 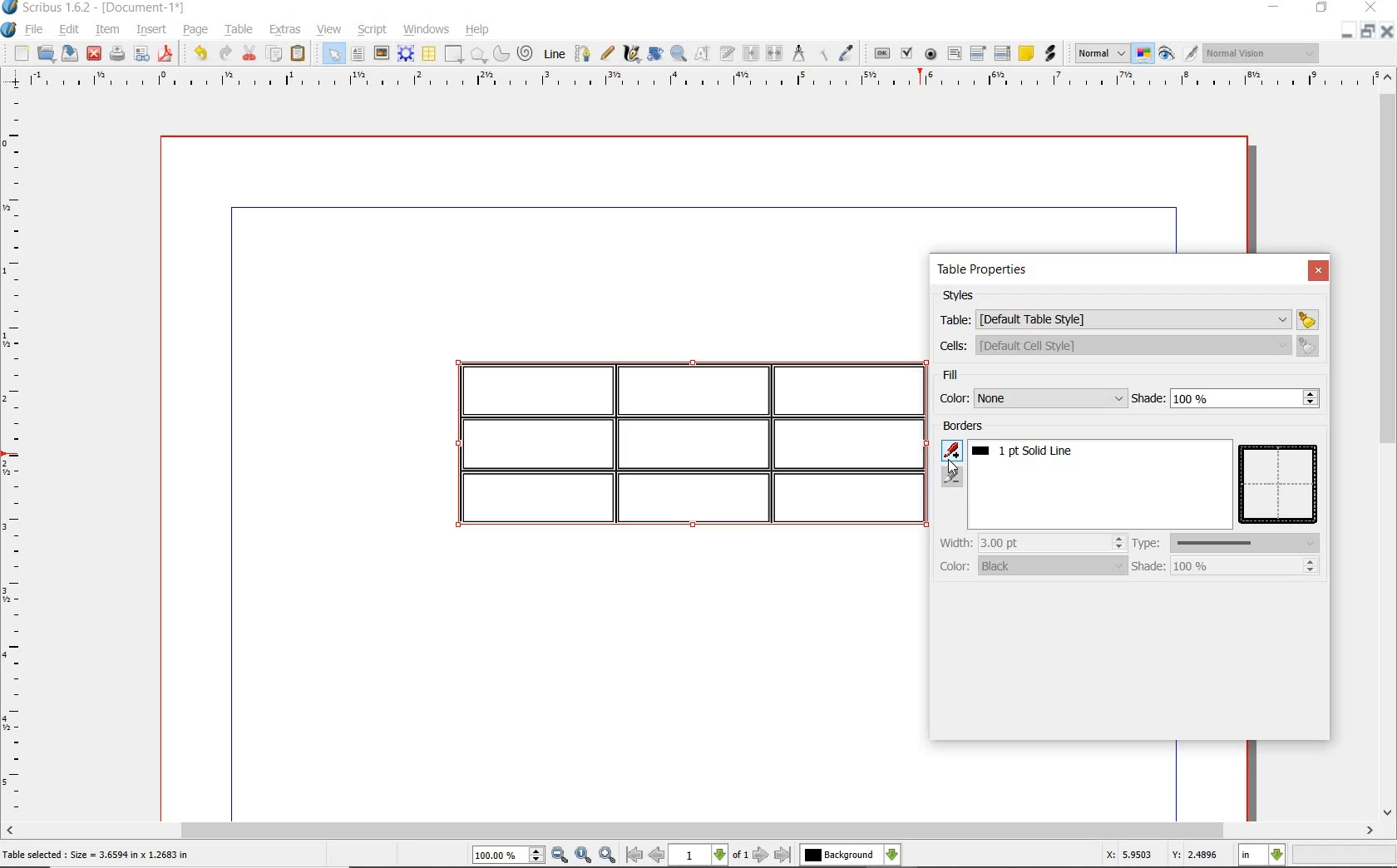 I want to click on ruler, so click(x=17, y=454).